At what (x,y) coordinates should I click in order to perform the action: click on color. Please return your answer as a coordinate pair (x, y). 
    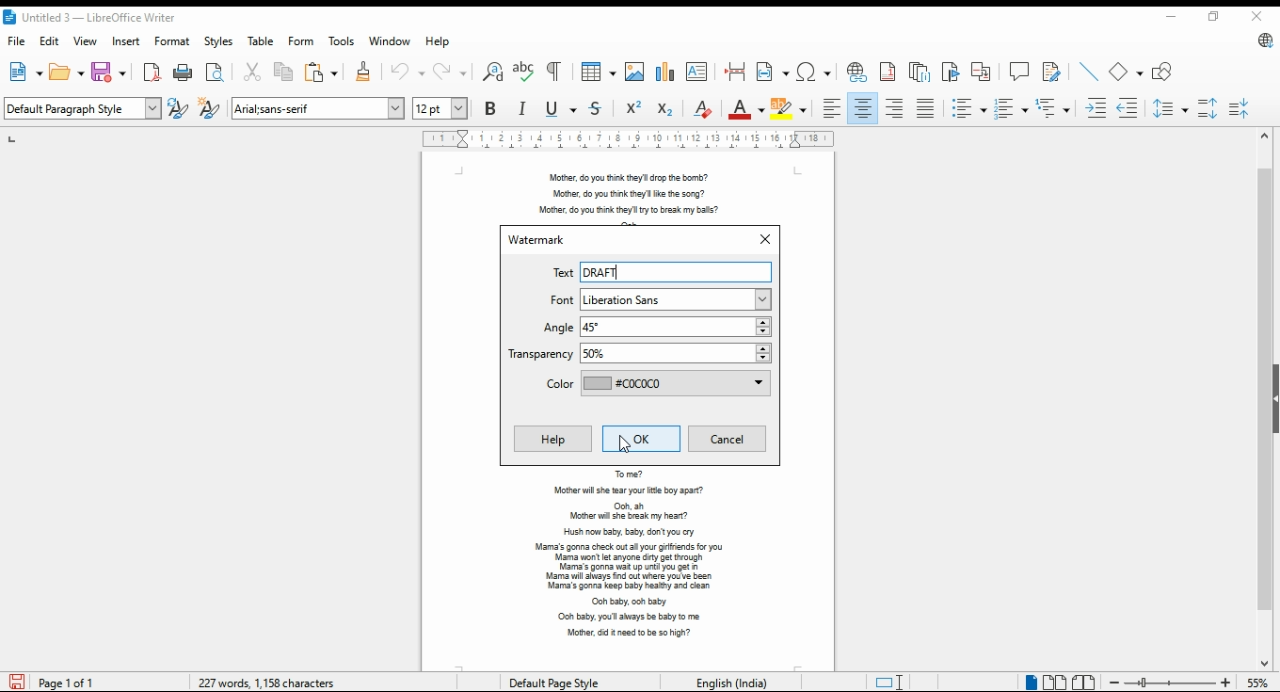
    Looking at the image, I should click on (655, 385).